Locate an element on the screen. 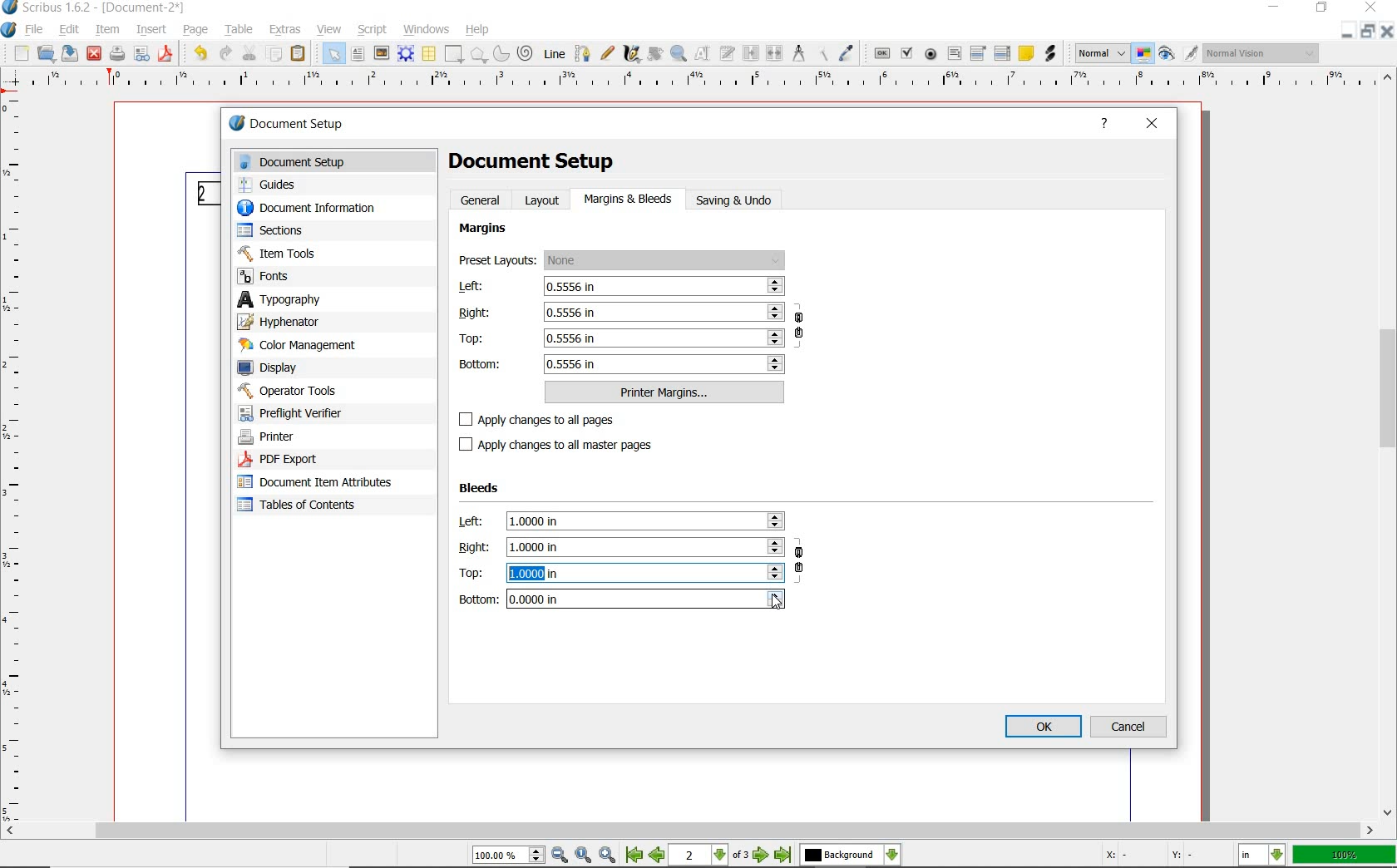 This screenshot has width=1397, height=868. layout is located at coordinates (545, 200).